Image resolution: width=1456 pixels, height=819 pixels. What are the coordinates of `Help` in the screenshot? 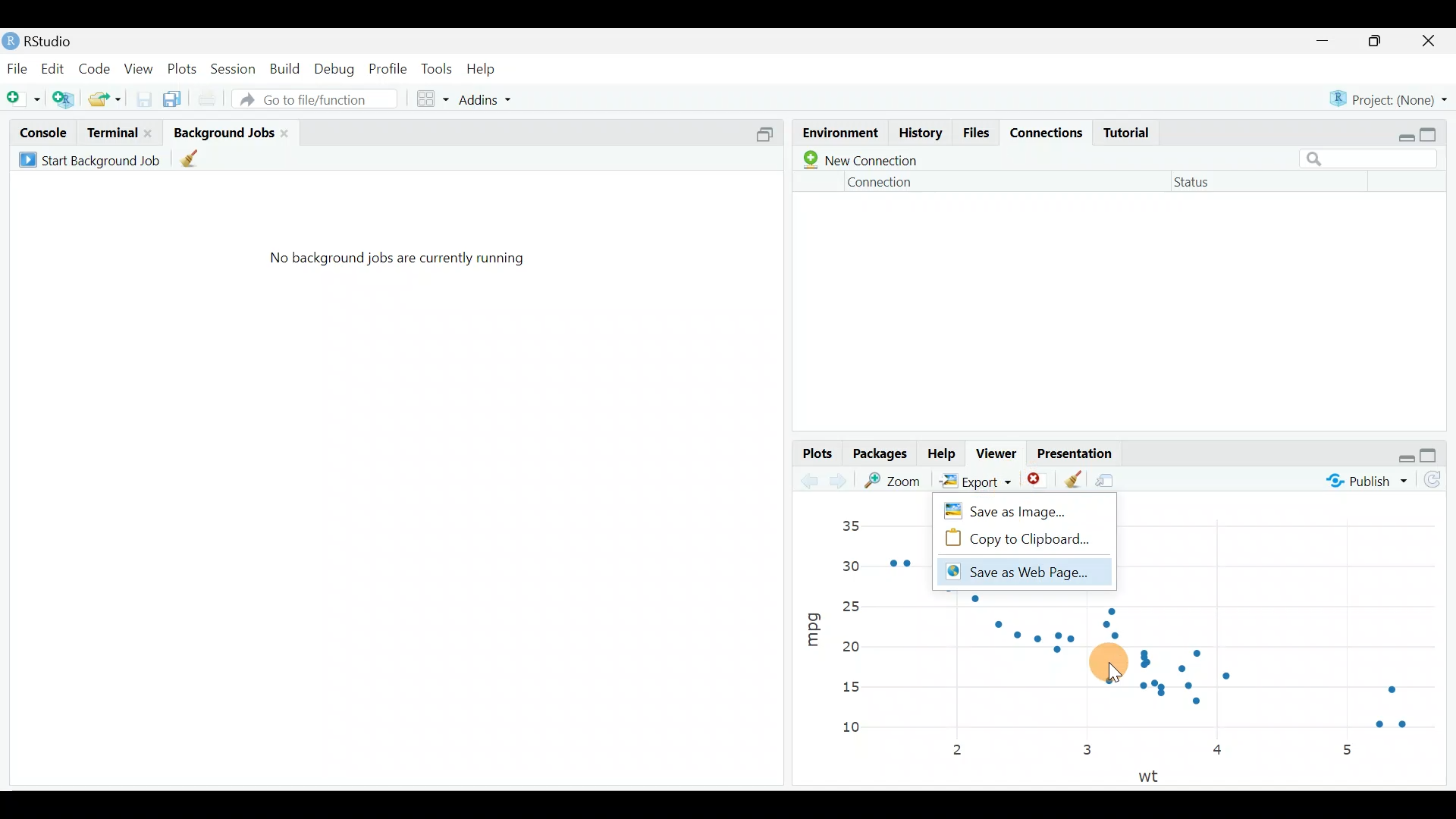 It's located at (943, 454).